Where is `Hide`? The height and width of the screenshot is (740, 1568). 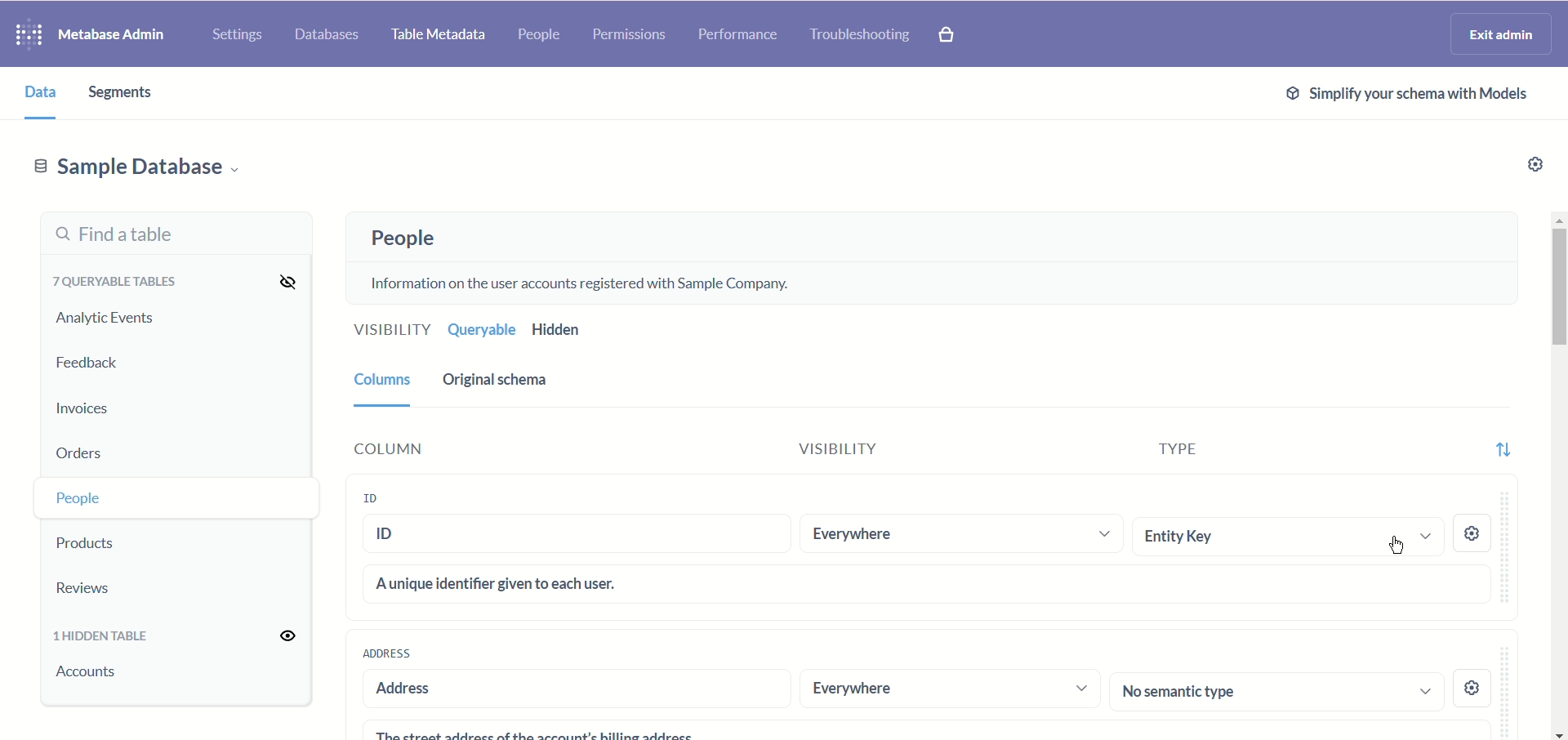
Hide is located at coordinates (282, 280).